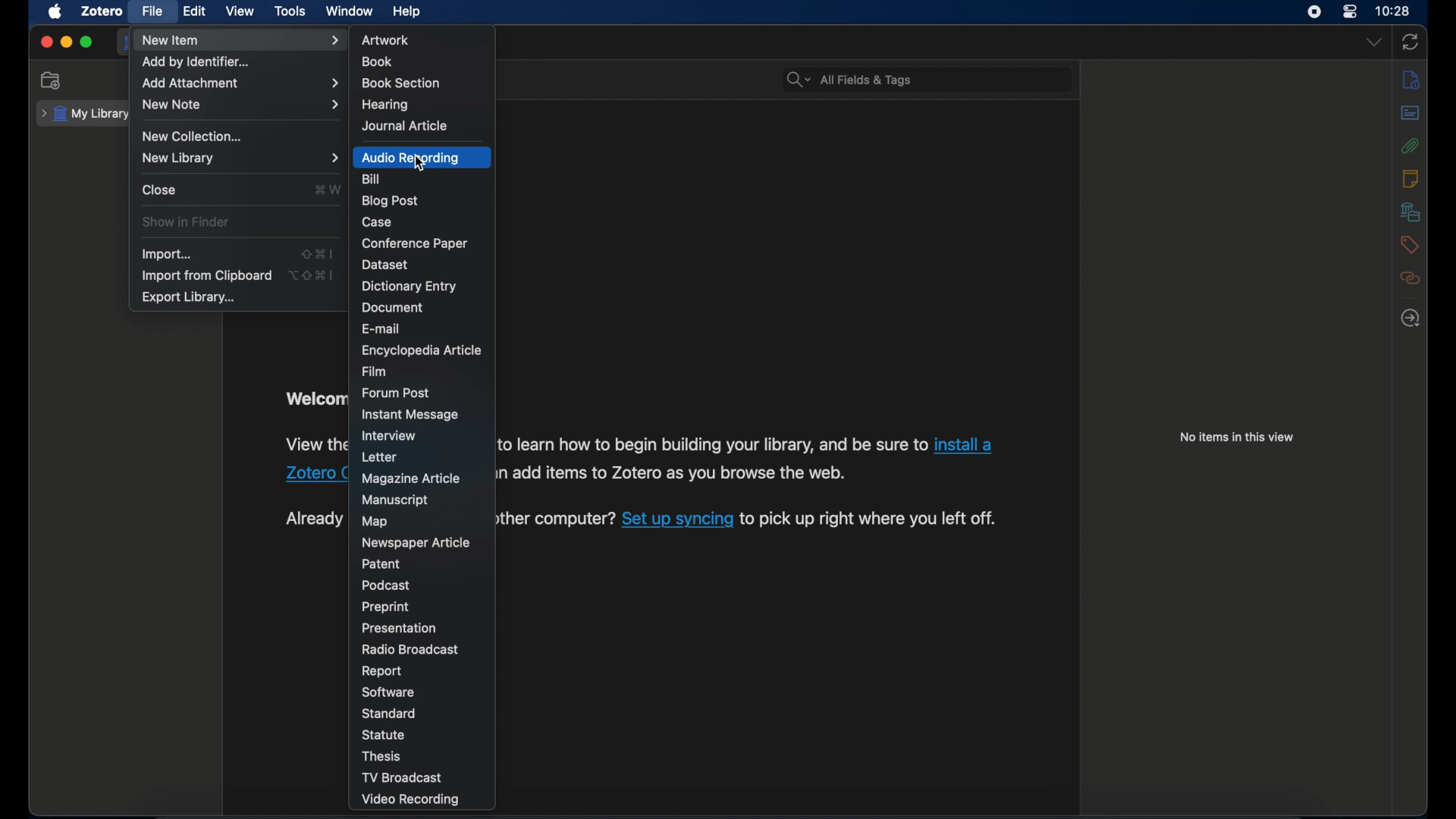 The image size is (1456, 819). Describe the element at coordinates (400, 629) in the screenshot. I see `presentation` at that location.